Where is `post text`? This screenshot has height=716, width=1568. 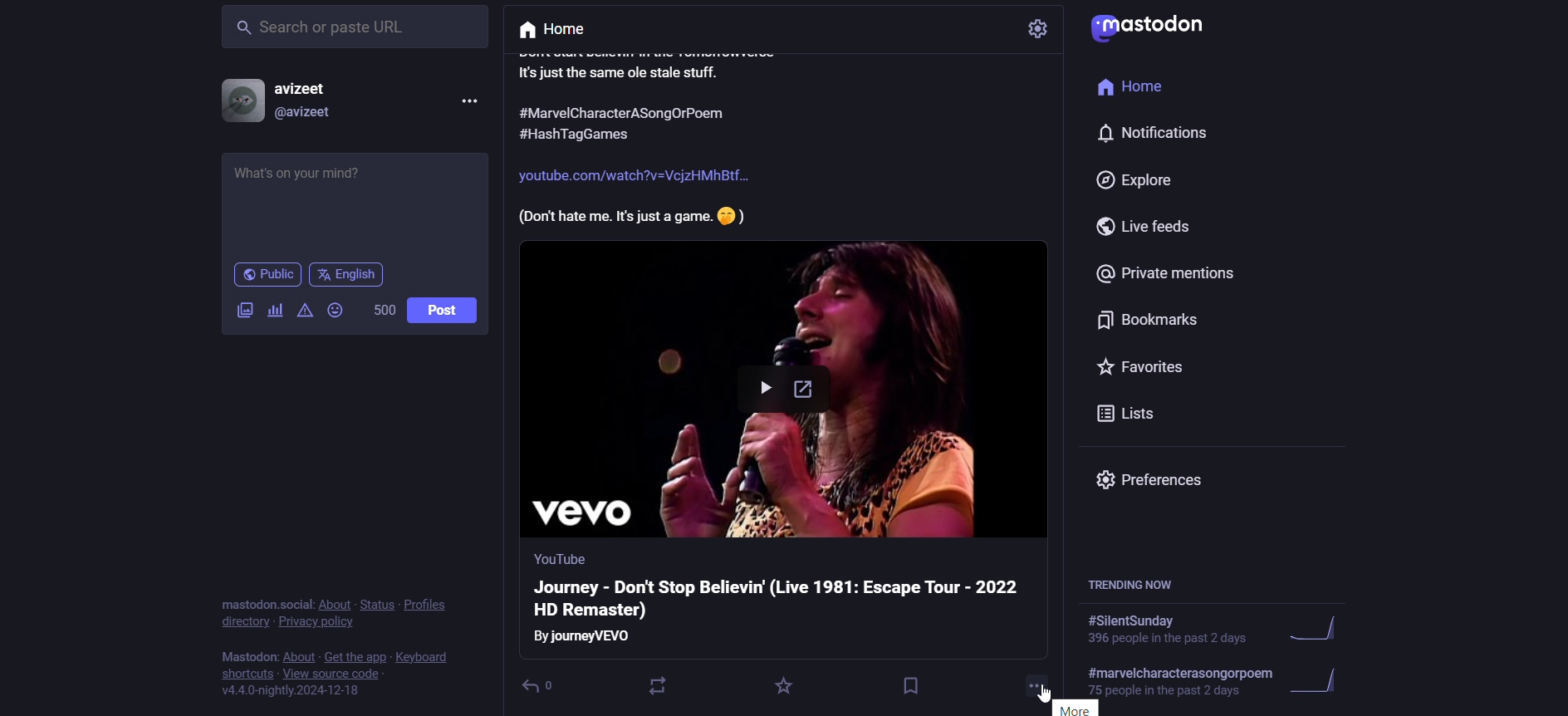
post text is located at coordinates (656, 66).